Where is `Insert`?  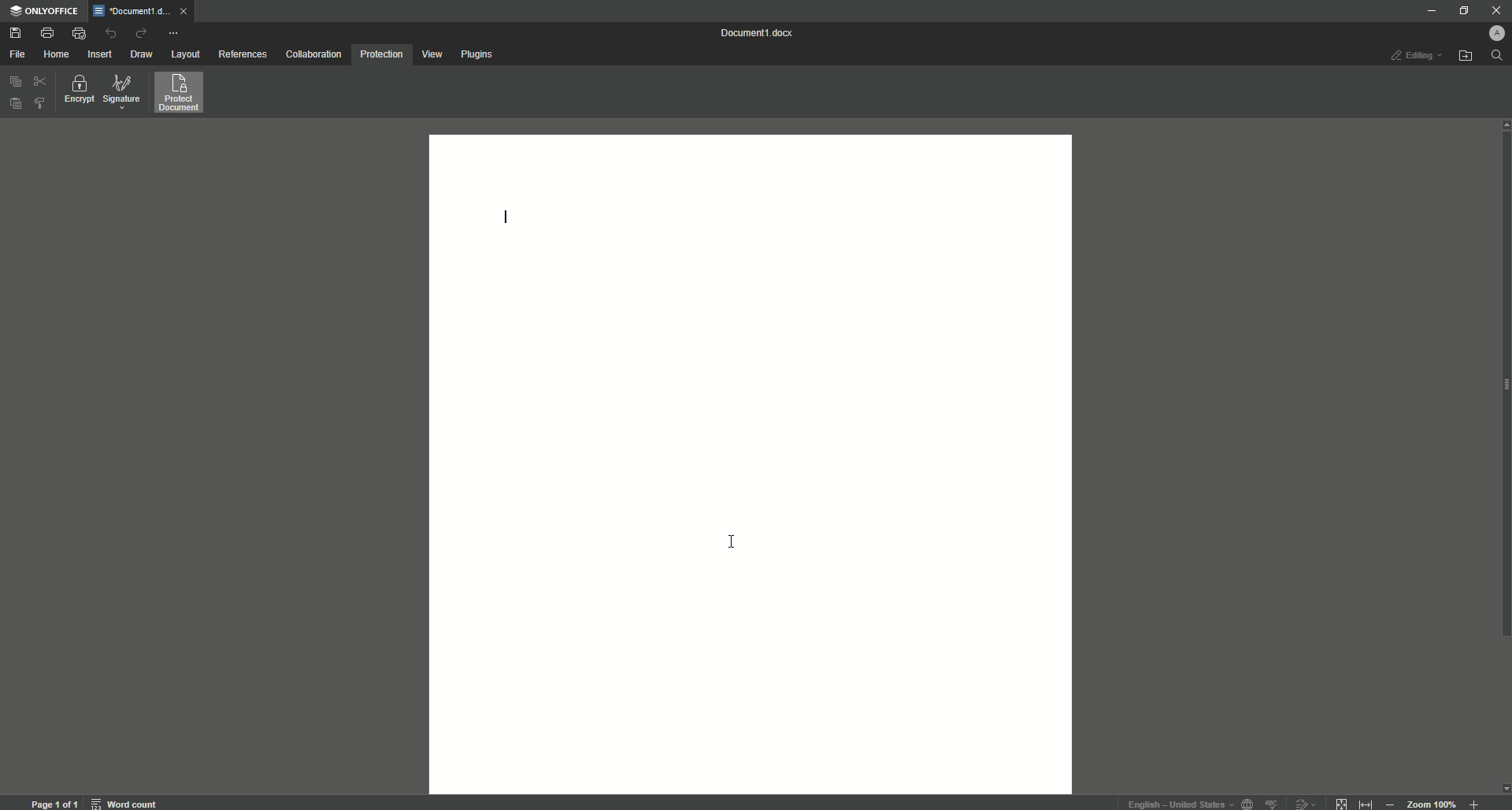 Insert is located at coordinates (101, 54).